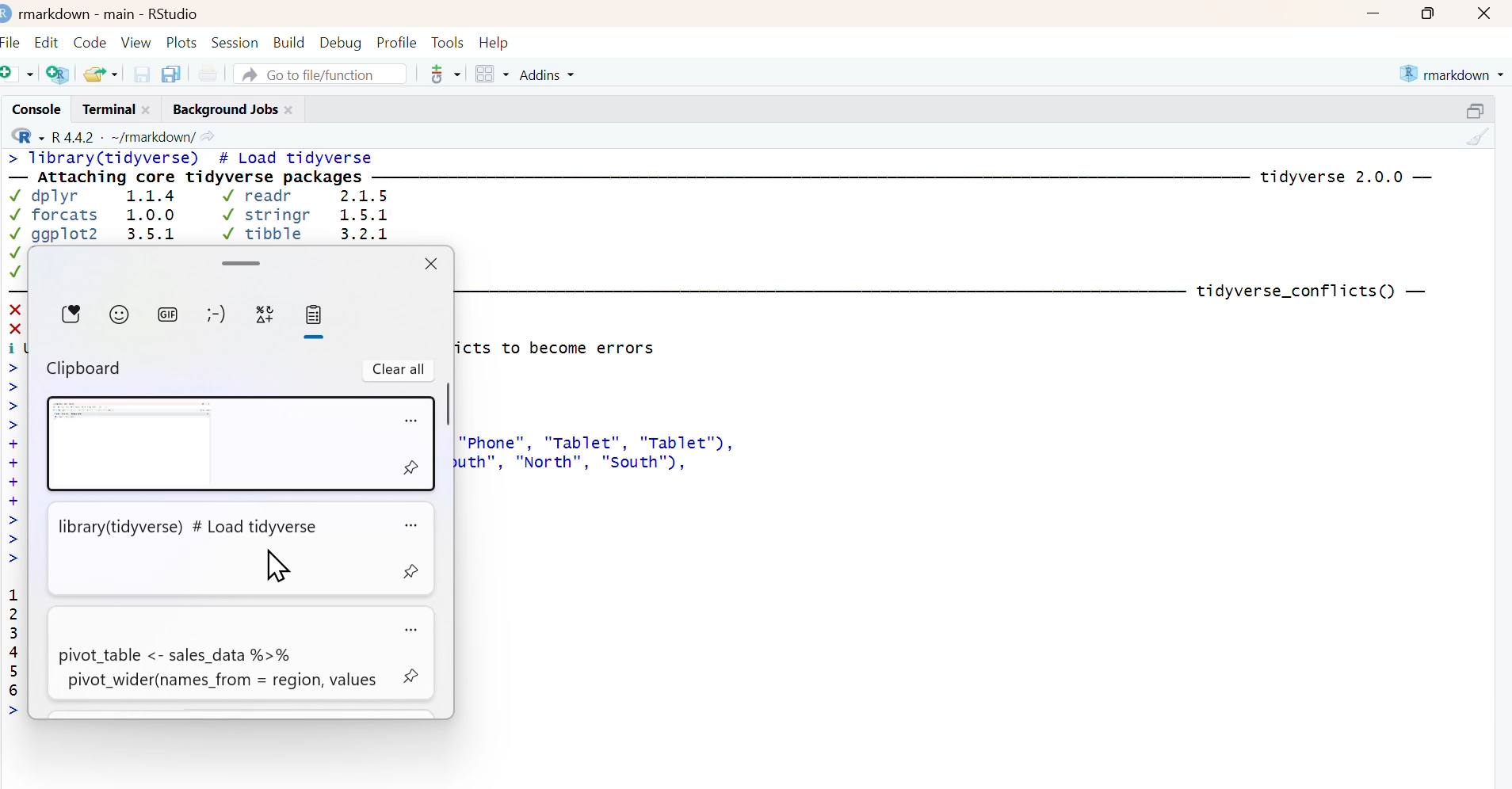 This screenshot has height=789, width=1512. Describe the element at coordinates (499, 41) in the screenshot. I see `Help` at that location.